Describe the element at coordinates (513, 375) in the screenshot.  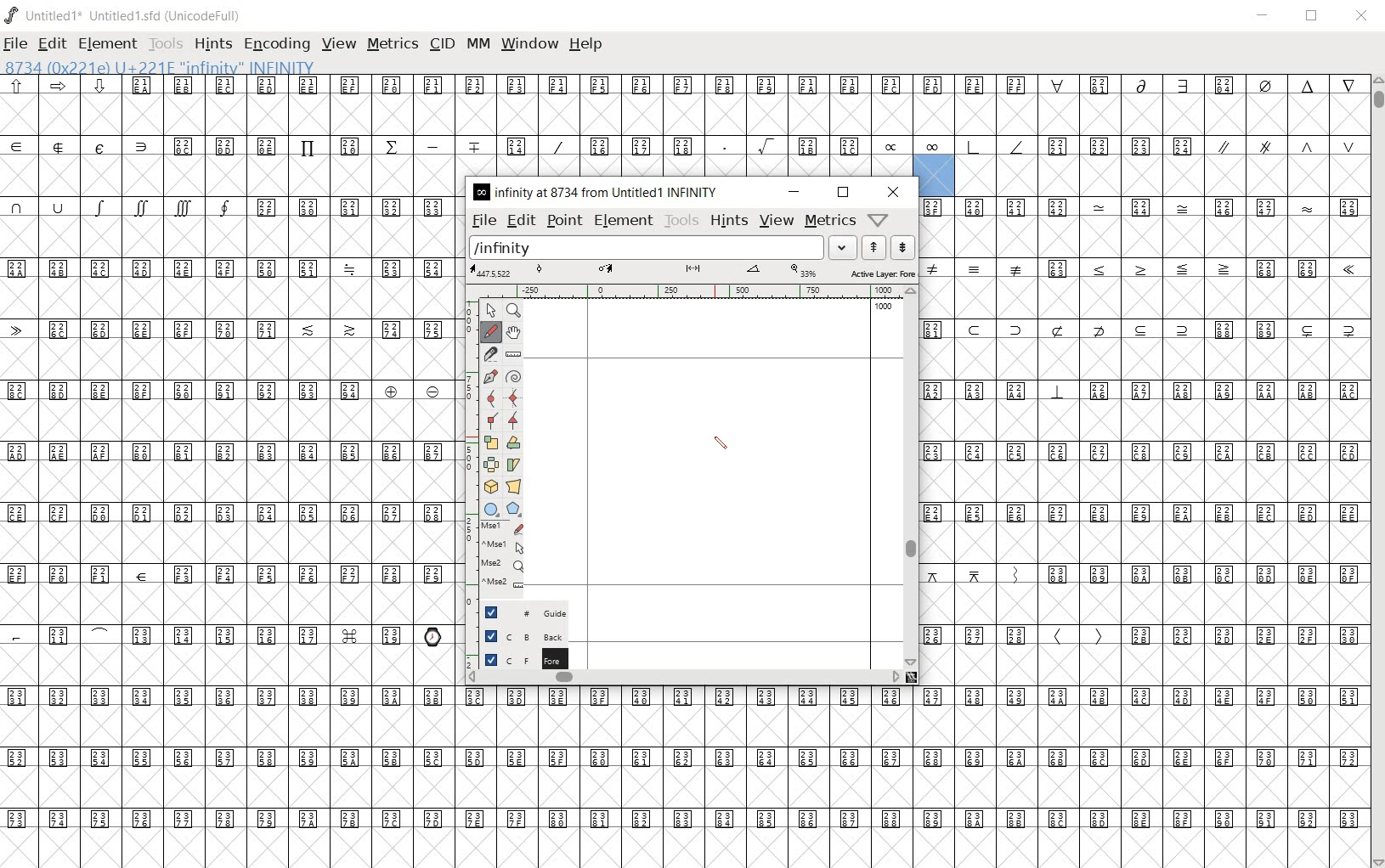
I see `change whether spiro is active or not` at that location.